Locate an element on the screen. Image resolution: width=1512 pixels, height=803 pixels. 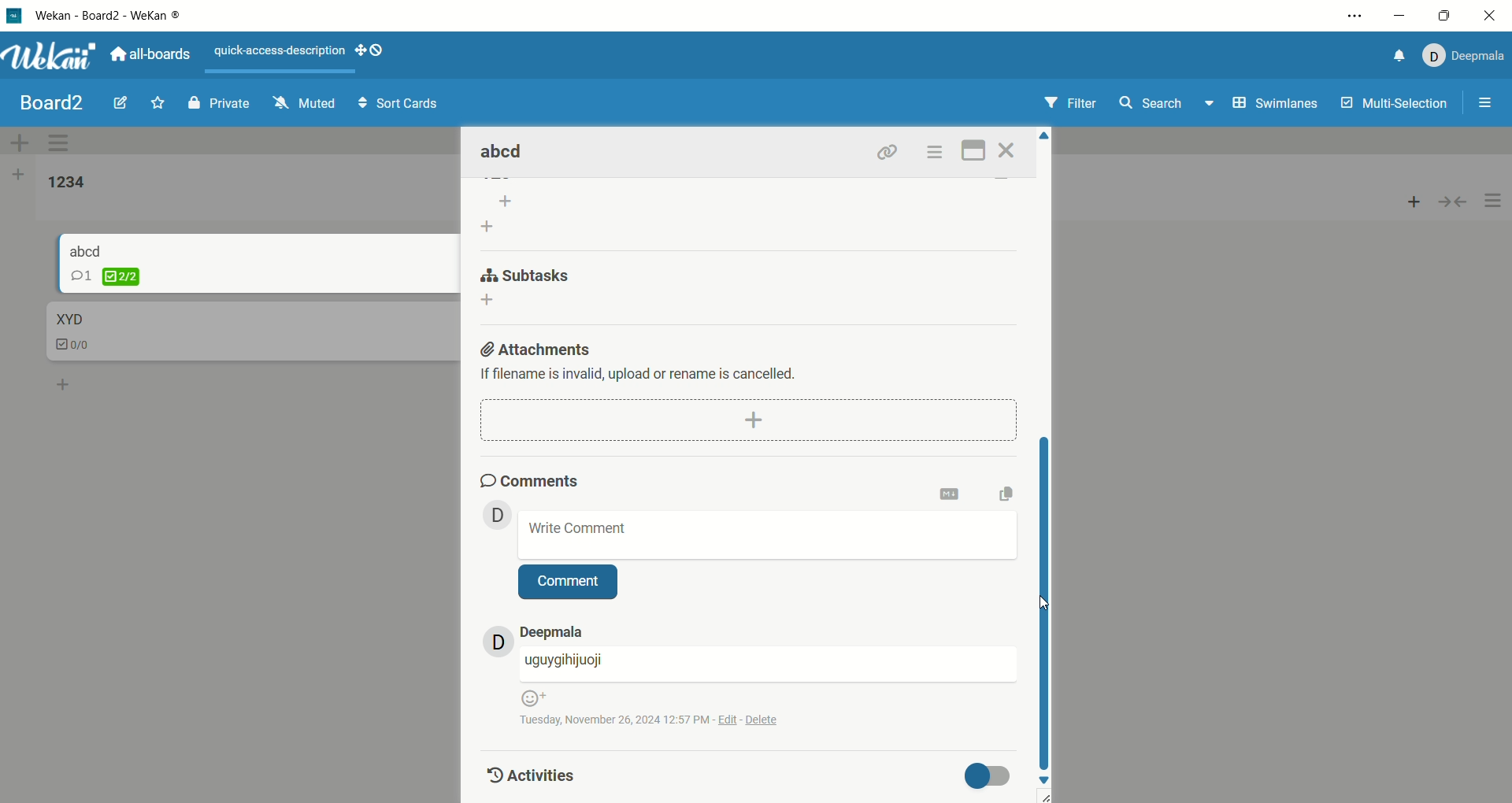
card title is located at coordinates (68, 320).